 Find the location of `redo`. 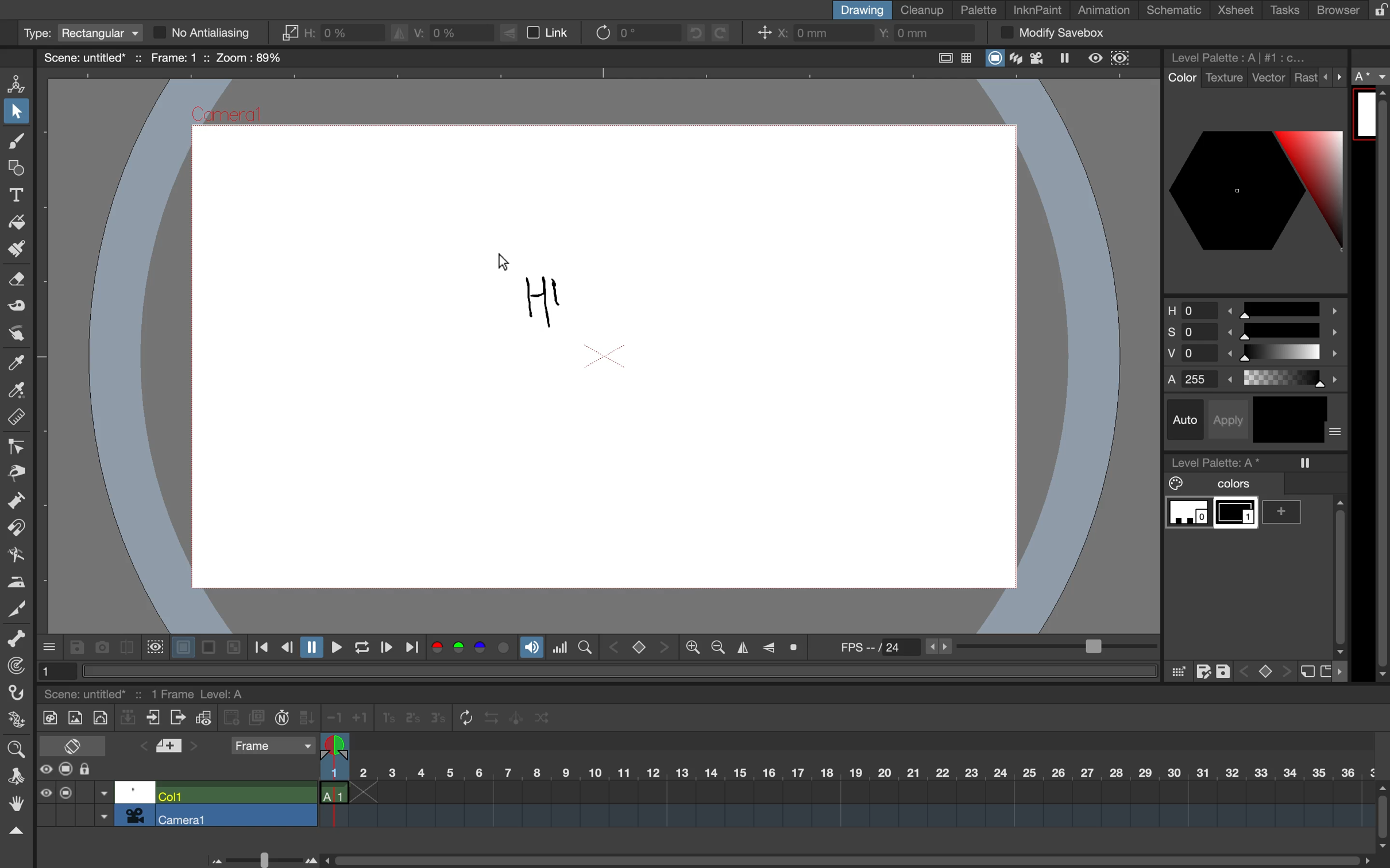

redo is located at coordinates (729, 33).